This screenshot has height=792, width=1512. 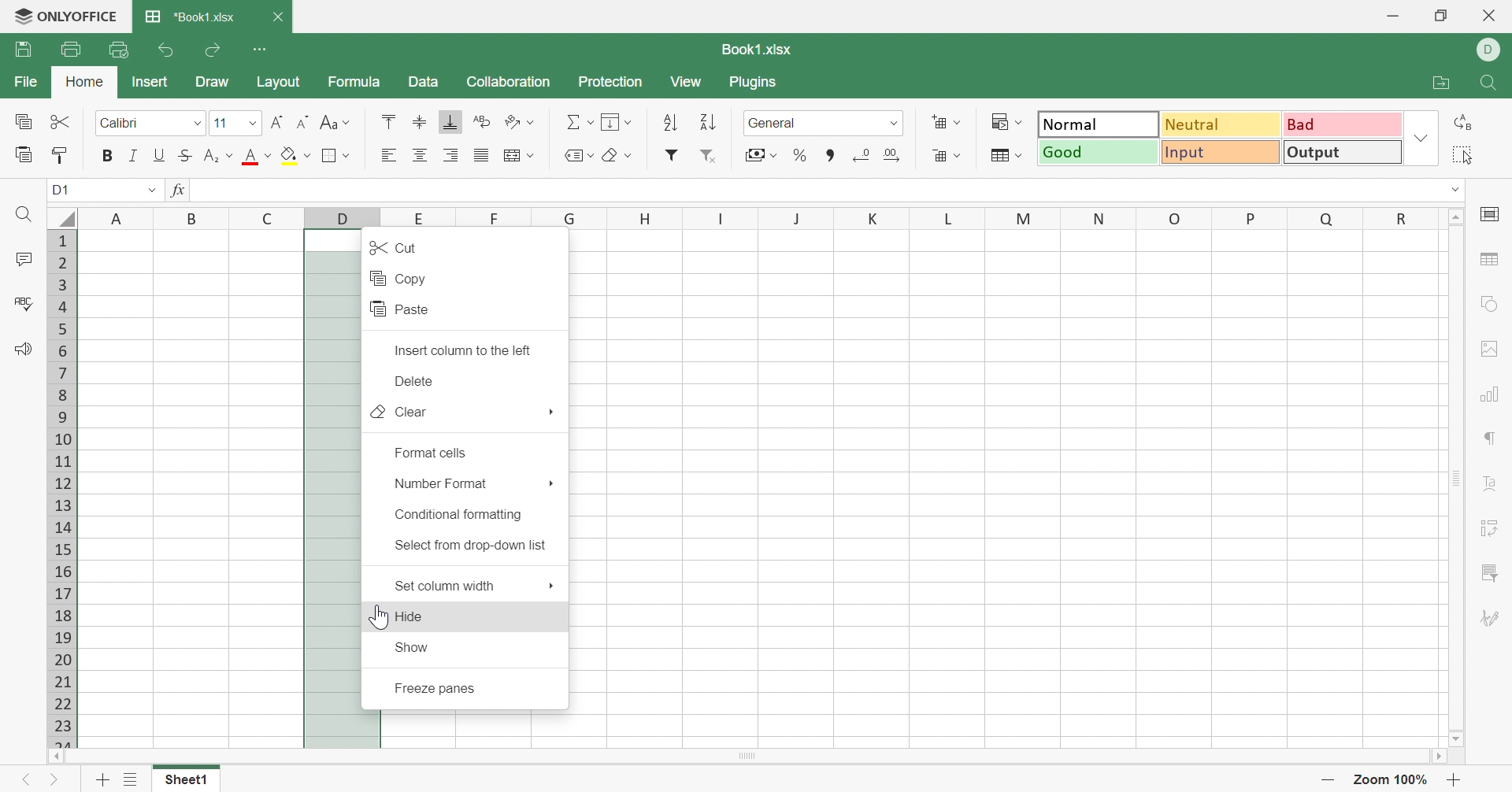 I want to click on Drop Down, so click(x=958, y=123).